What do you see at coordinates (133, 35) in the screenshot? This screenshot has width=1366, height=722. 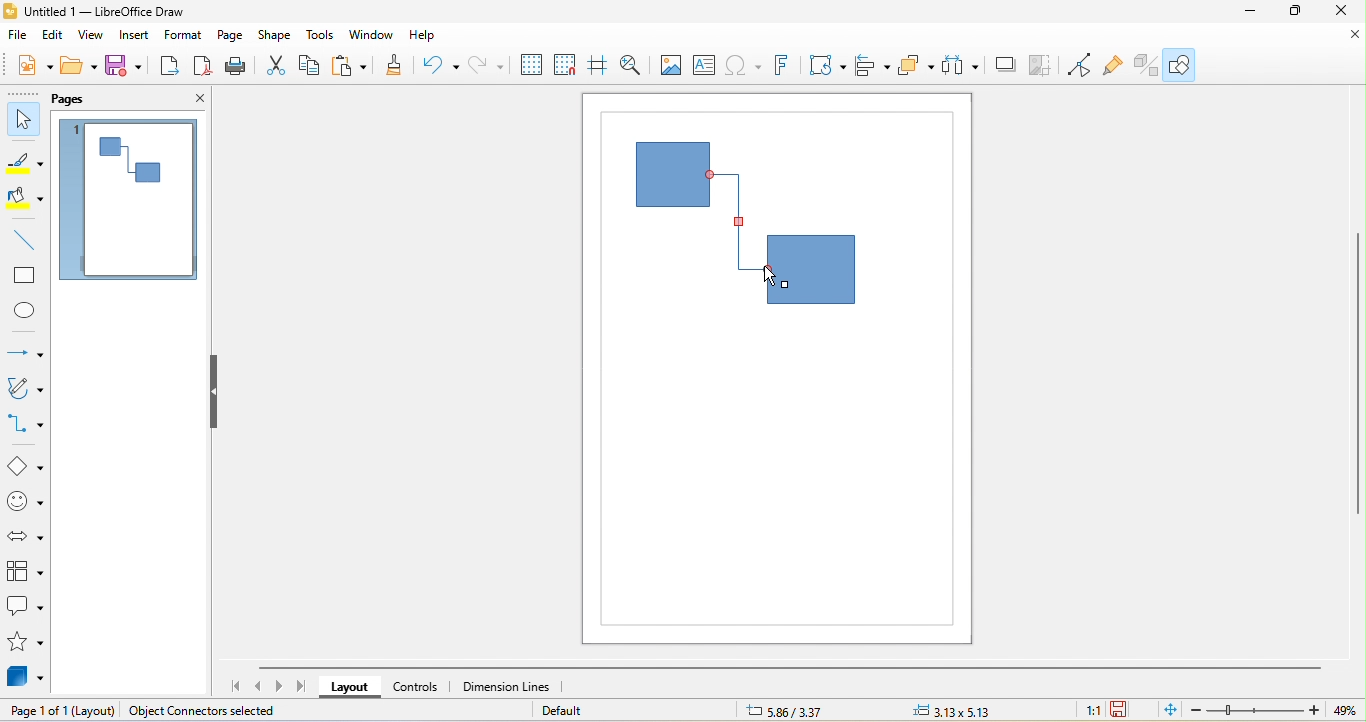 I see `insert` at bounding box center [133, 35].